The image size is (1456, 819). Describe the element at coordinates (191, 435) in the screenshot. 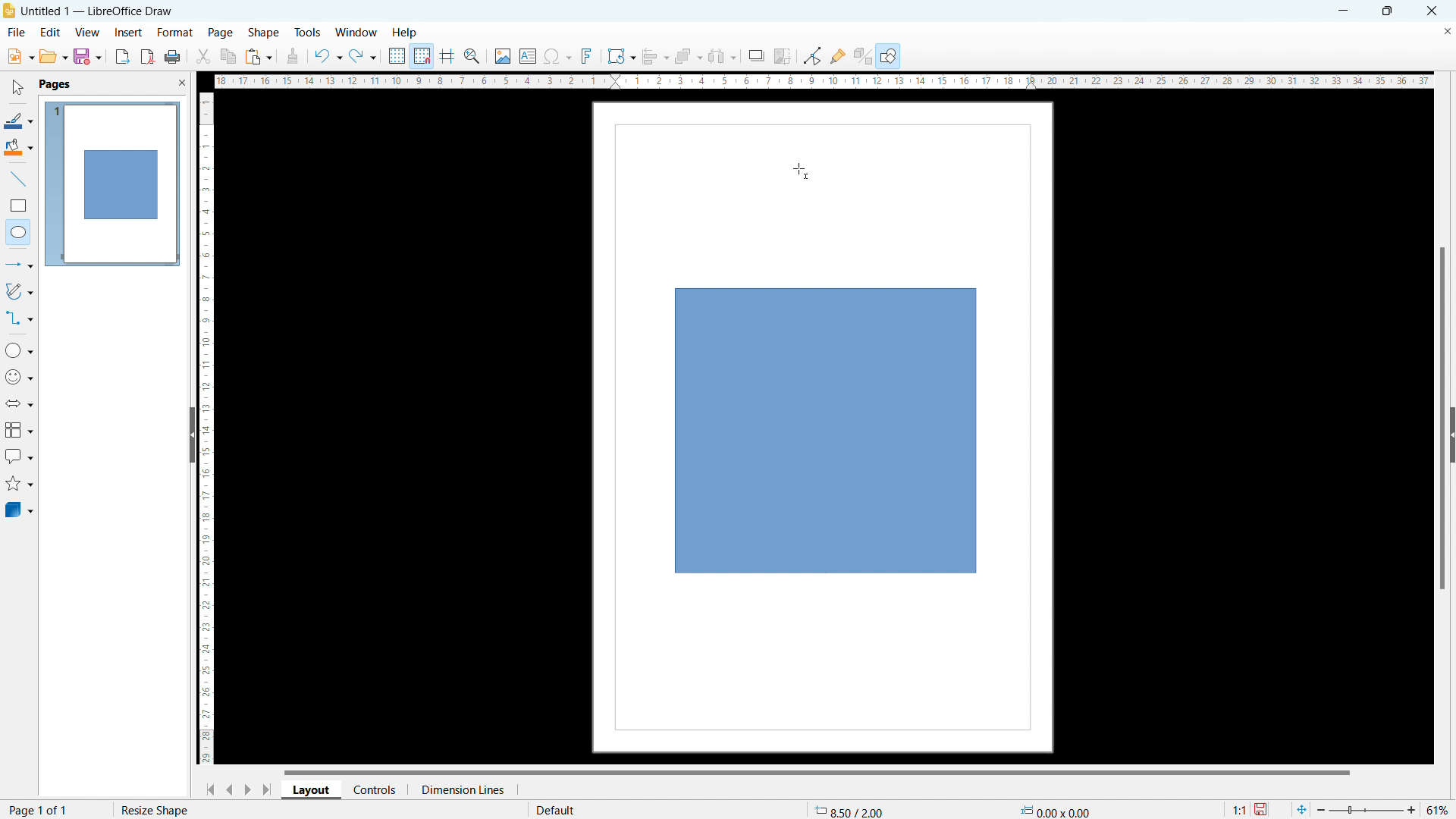

I see `hide pane` at that location.